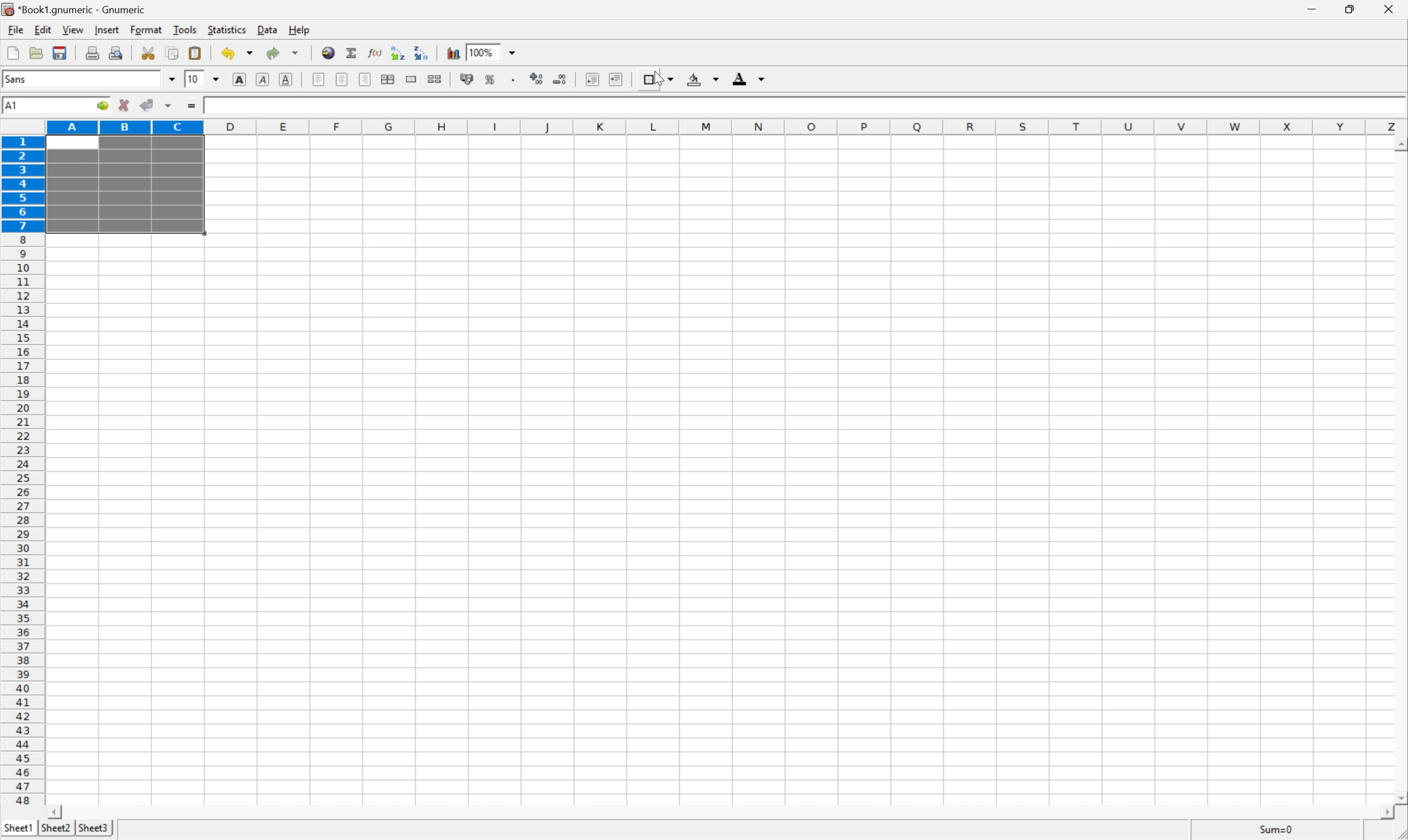  What do you see at coordinates (1353, 11) in the screenshot?
I see `restore down` at bounding box center [1353, 11].